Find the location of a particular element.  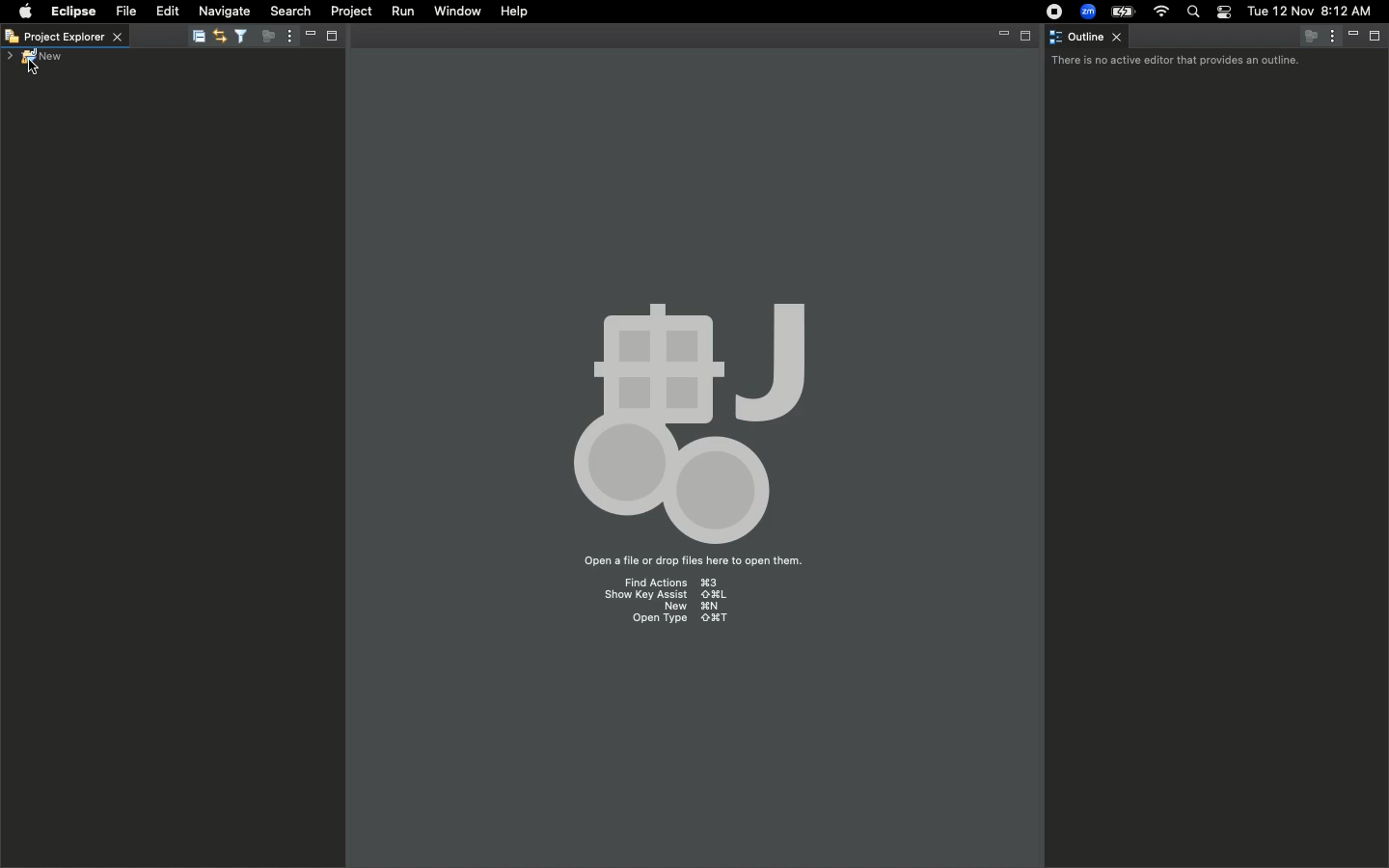

cursor is located at coordinates (34, 67).